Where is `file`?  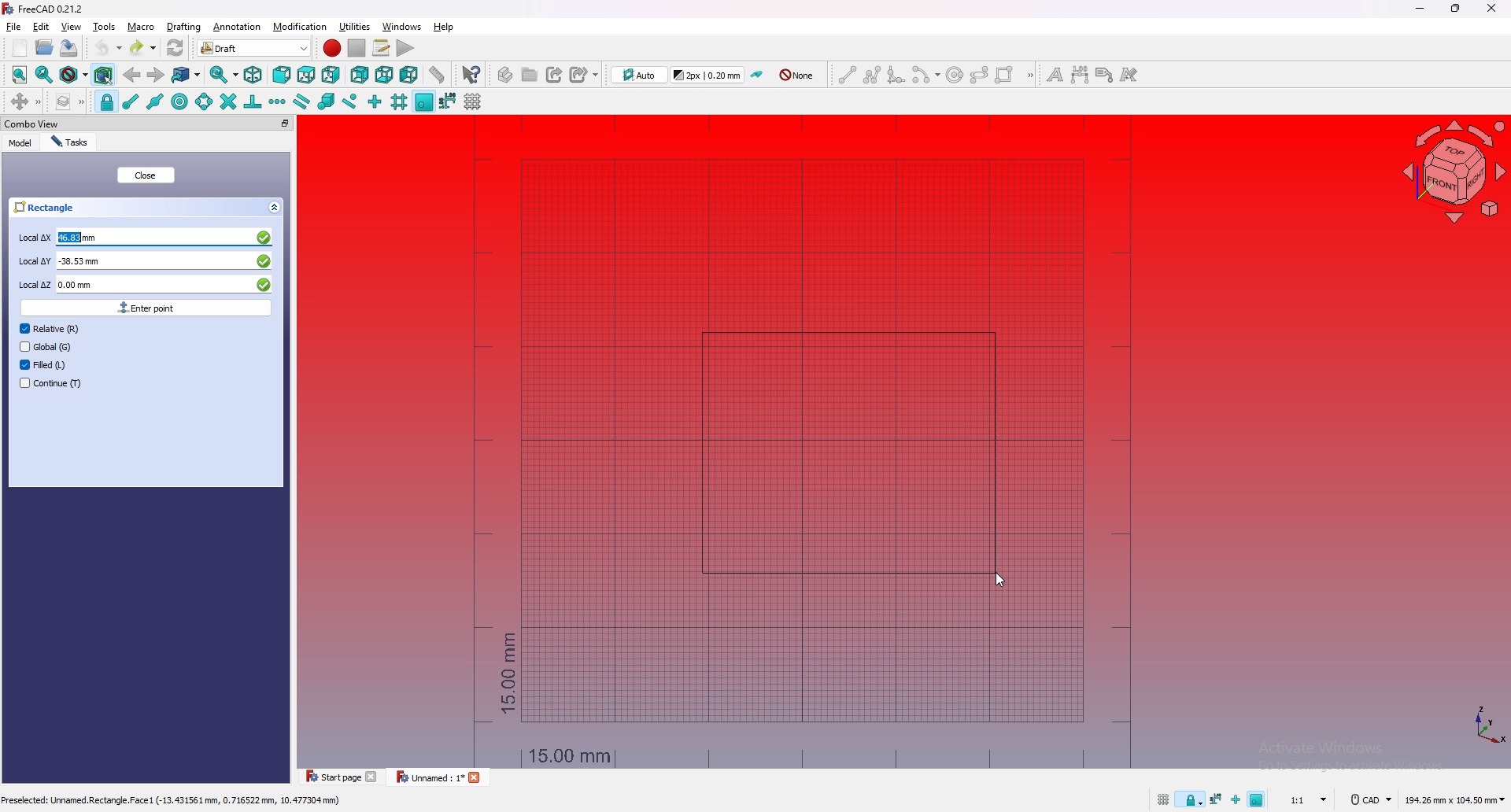
file is located at coordinates (14, 27).